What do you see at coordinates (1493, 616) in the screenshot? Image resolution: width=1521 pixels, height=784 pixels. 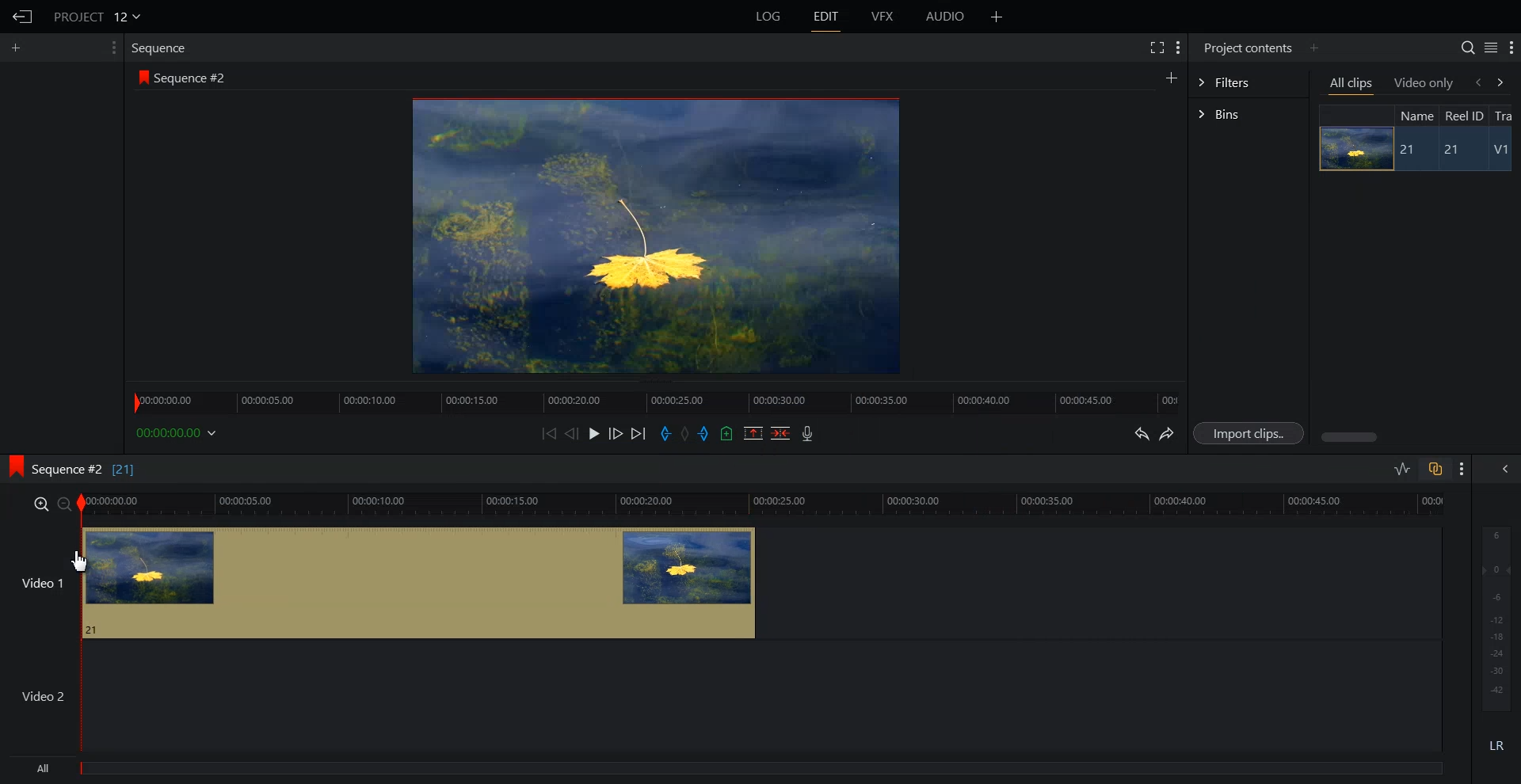 I see `Audio output level` at bounding box center [1493, 616].